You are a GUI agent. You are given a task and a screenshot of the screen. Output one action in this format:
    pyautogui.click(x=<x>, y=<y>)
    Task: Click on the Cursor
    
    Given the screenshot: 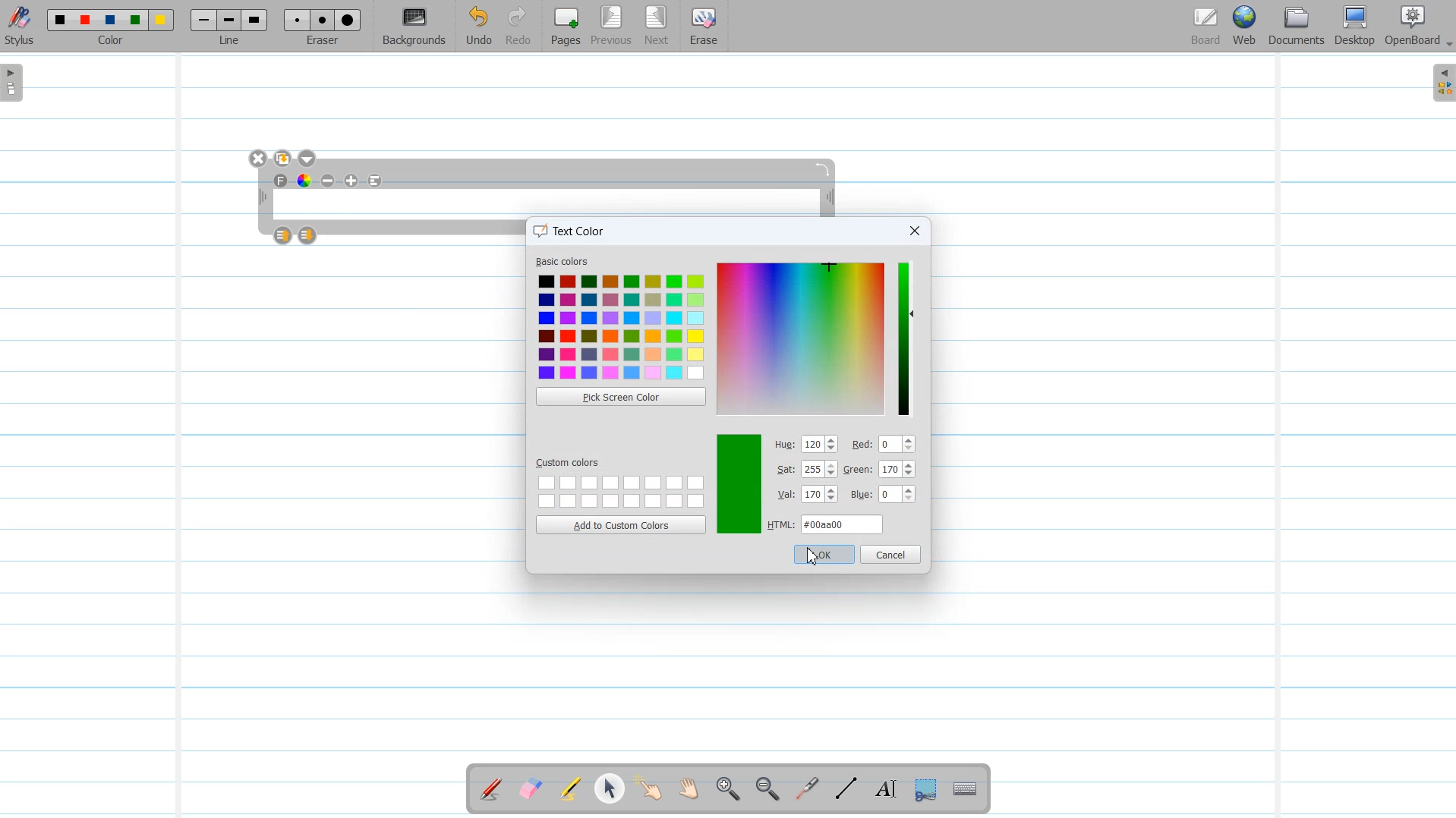 What is the action you would take?
    pyautogui.click(x=812, y=557)
    